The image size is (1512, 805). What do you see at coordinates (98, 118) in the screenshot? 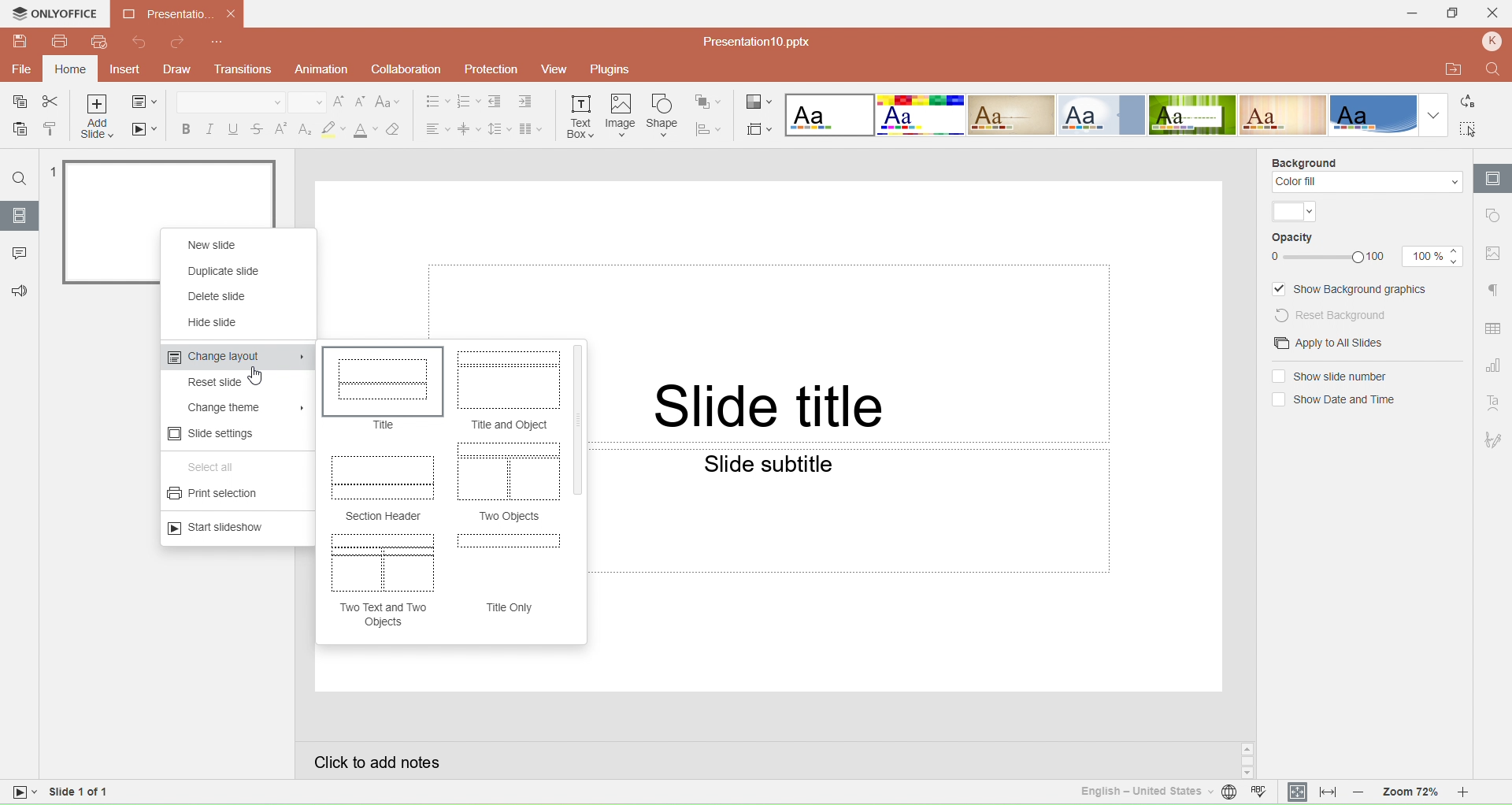
I see `Add slide` at bounding box center [98, 118].